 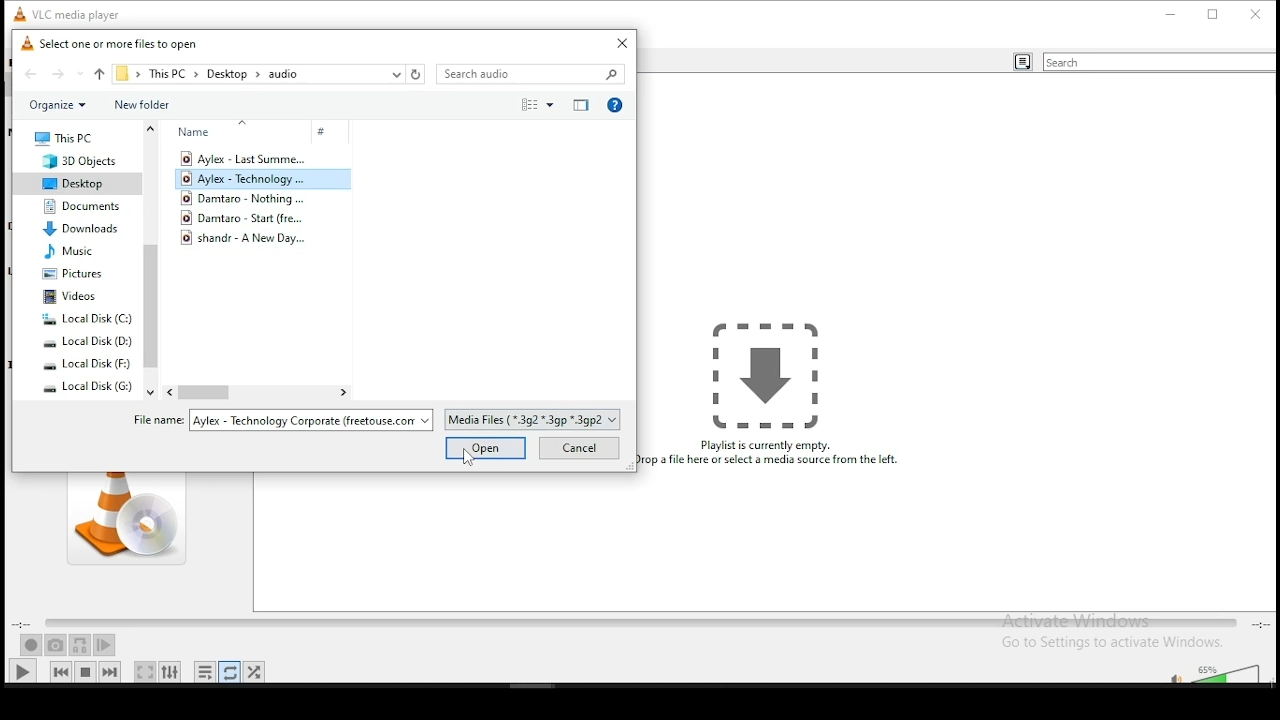 I want to click on search bar, so click(x=534, y=74).